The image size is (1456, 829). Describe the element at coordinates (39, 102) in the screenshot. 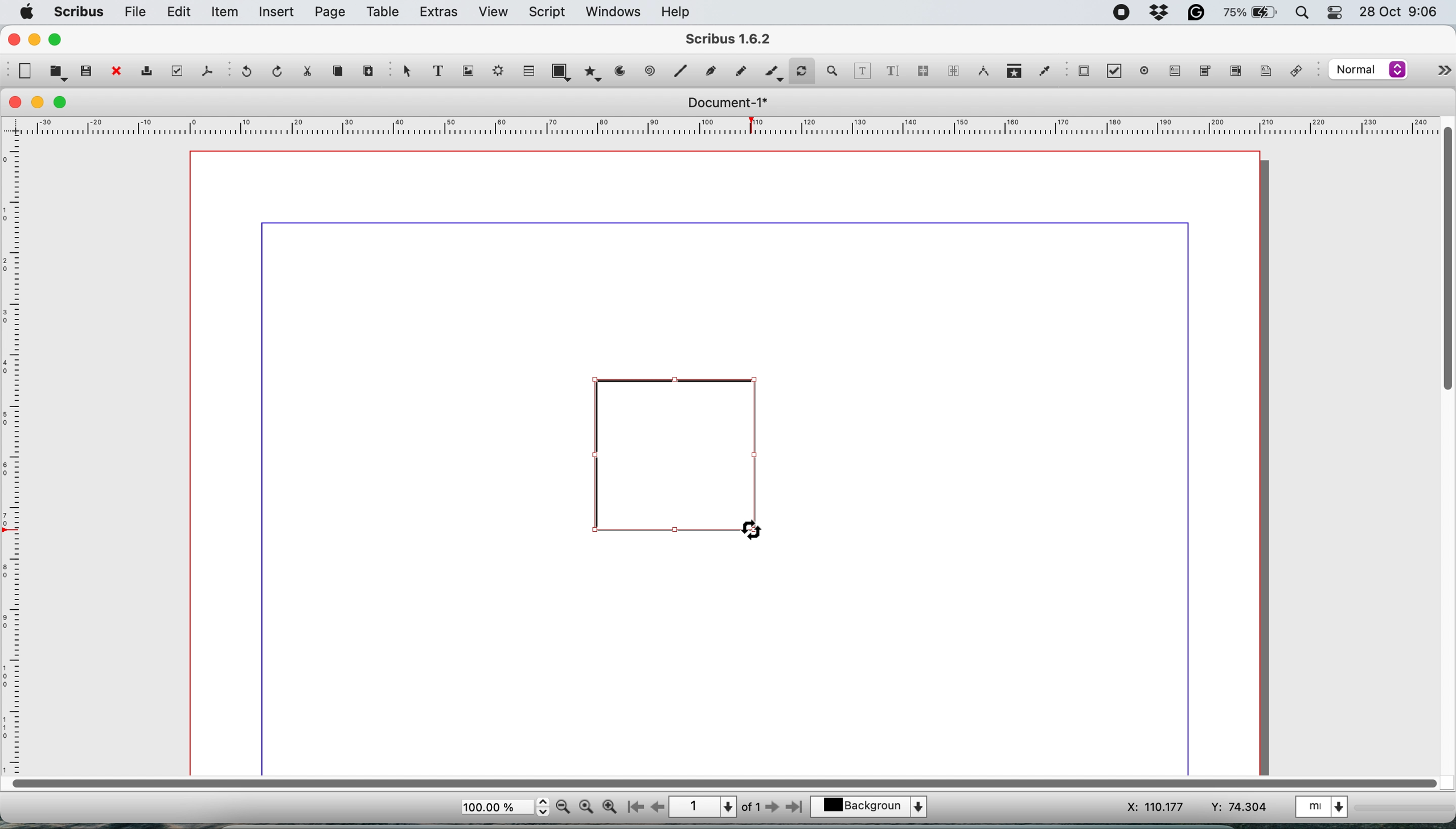

I see `minimise` at that location.